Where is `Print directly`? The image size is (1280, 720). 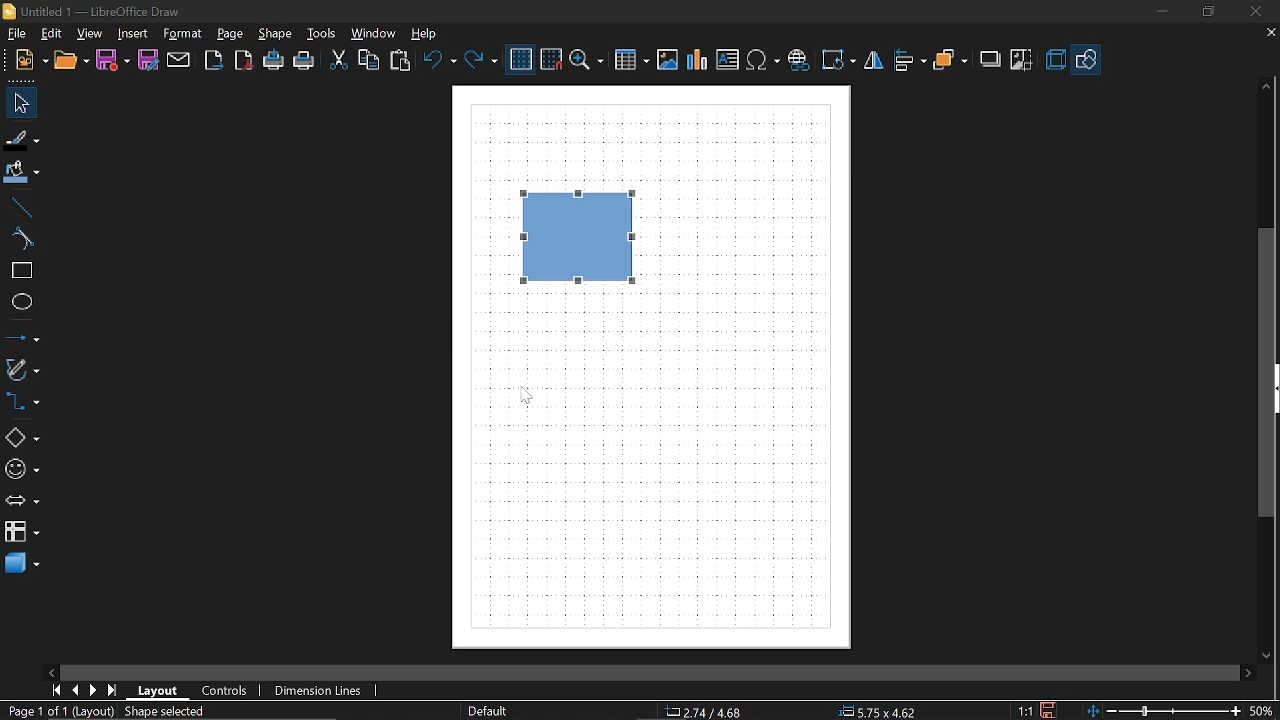 Print directly is located at coordinates (274, 61).